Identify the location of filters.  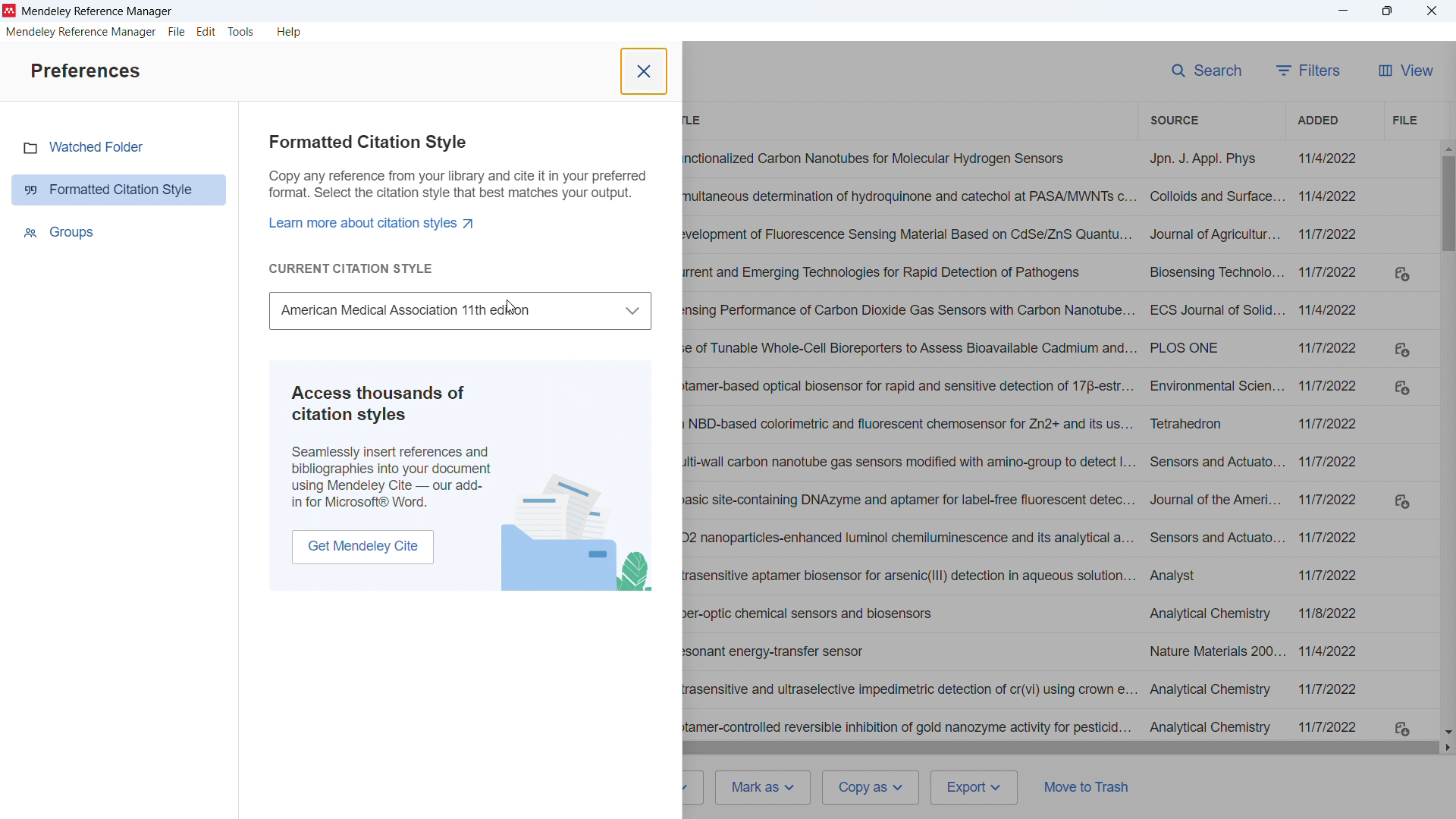
(1309, 71).